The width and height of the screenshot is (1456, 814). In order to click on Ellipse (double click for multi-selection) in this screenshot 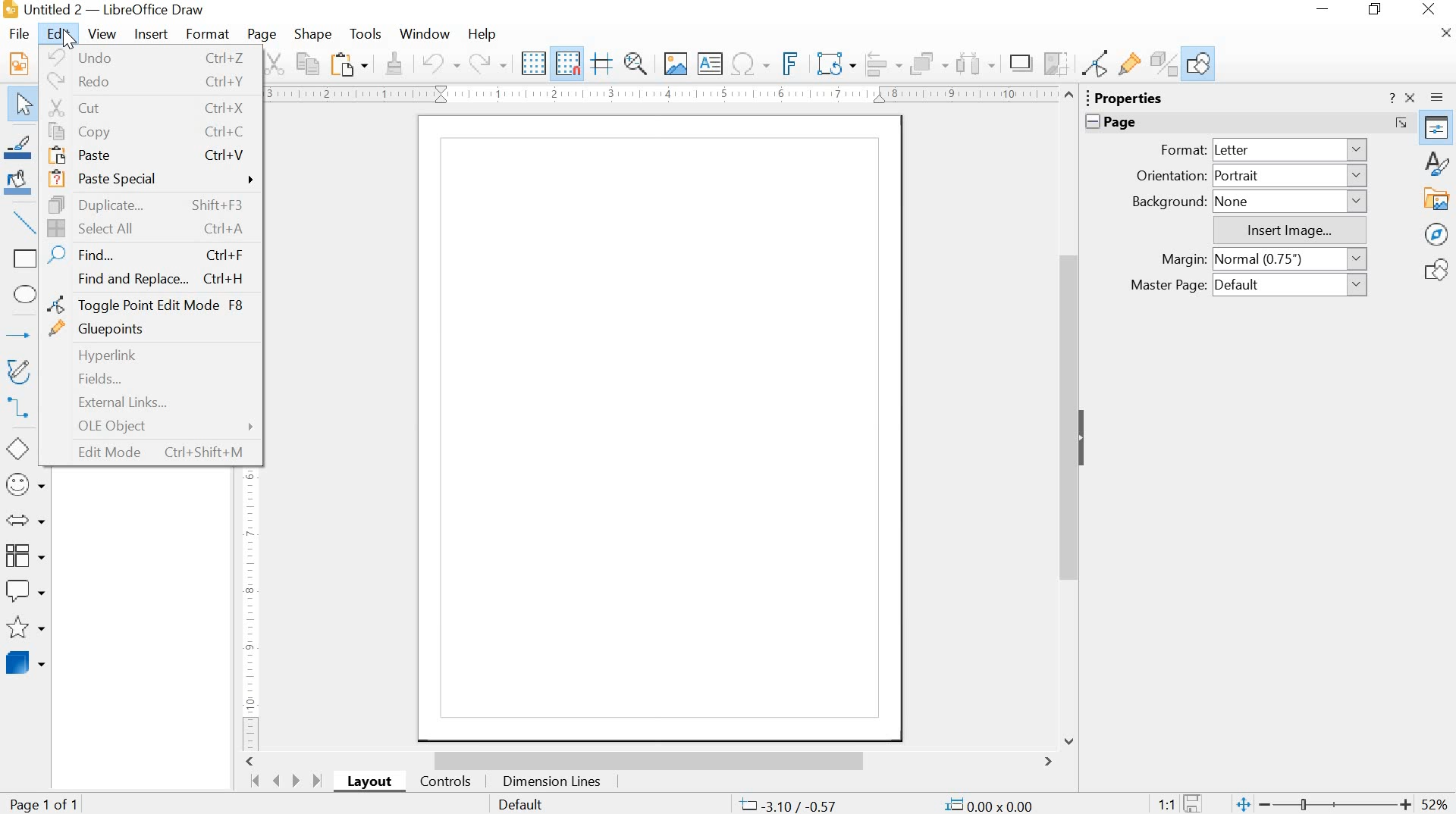, I will do `click(27, 293)`.